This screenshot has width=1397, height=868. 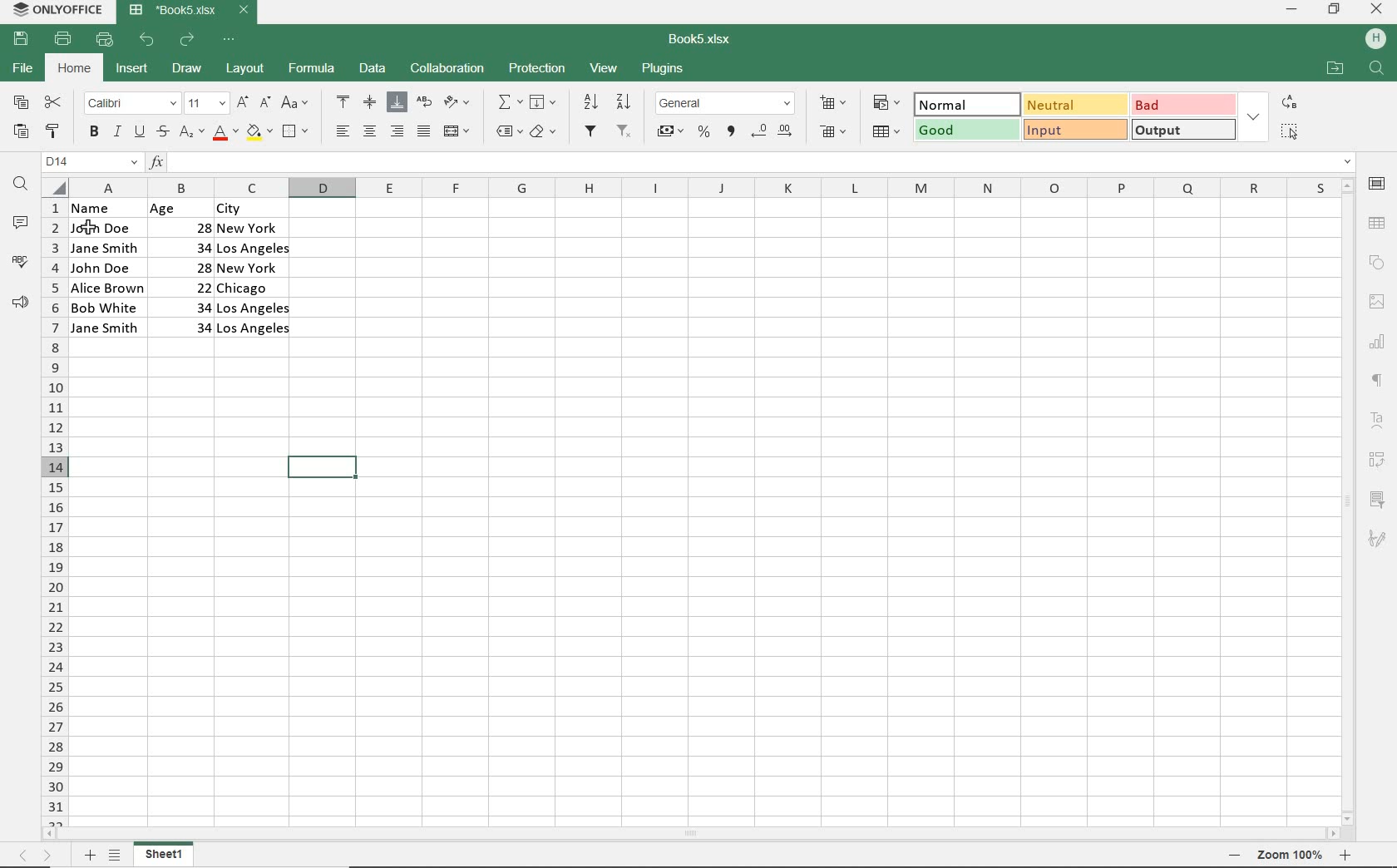 I want to click on RESTORE DOWN, so click(x=1336, y=8).